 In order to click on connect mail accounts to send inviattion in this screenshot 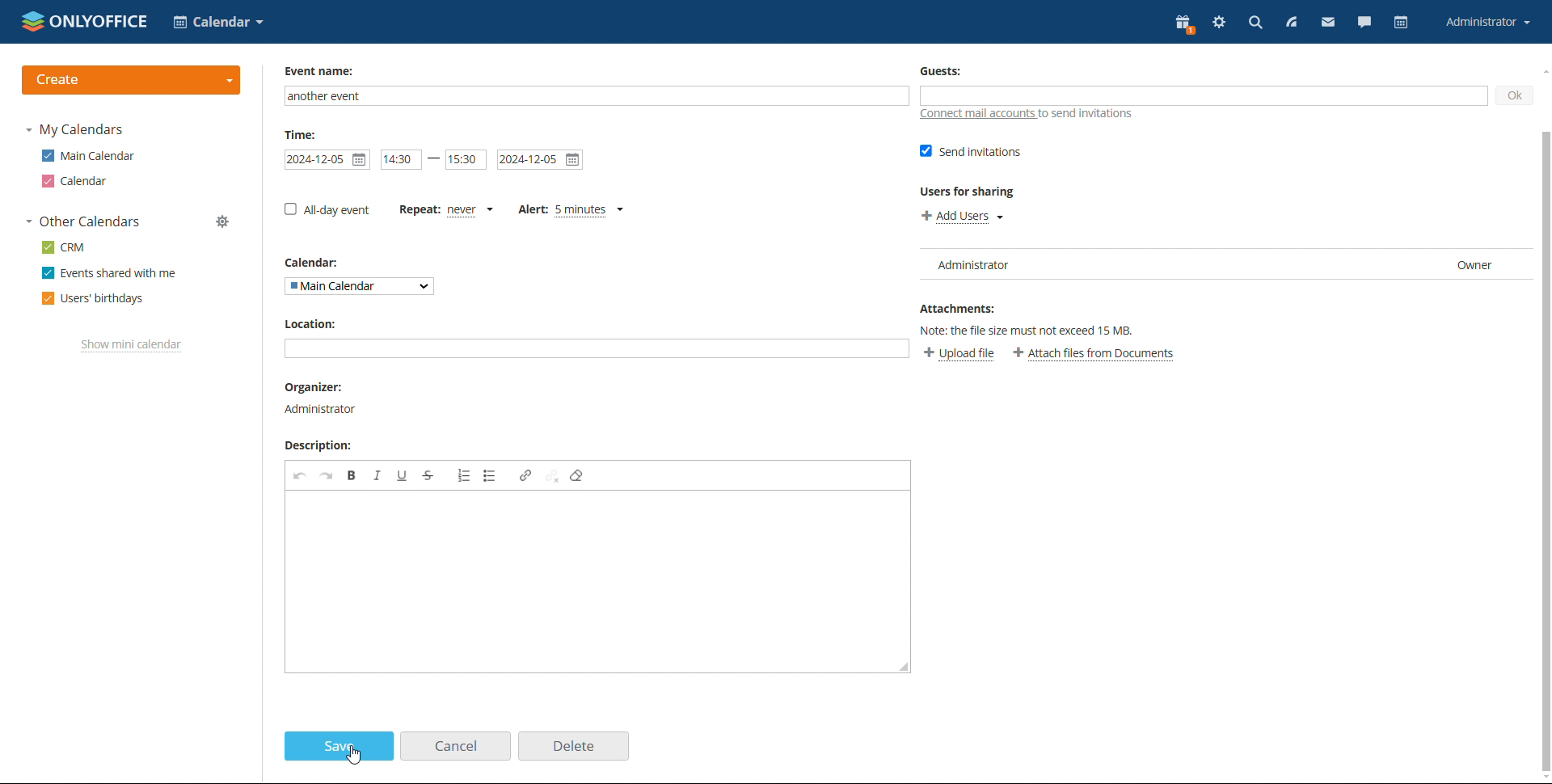, I will do `click(1027, 115)`.